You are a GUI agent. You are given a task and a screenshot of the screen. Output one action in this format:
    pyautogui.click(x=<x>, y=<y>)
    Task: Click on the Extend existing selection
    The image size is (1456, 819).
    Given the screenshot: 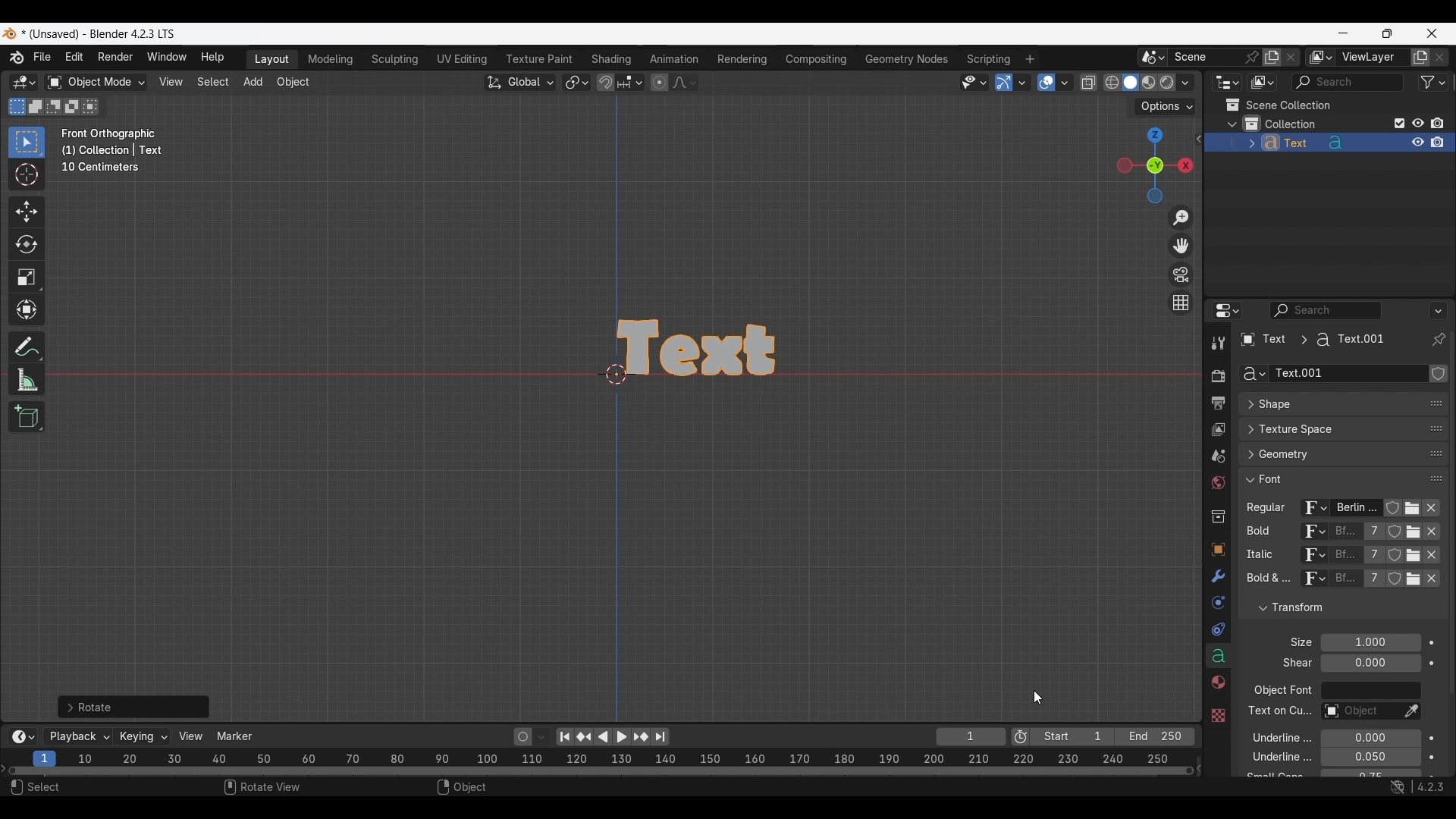 What is the action you would take?
    pyautogui.click(x=36, y=107)
    